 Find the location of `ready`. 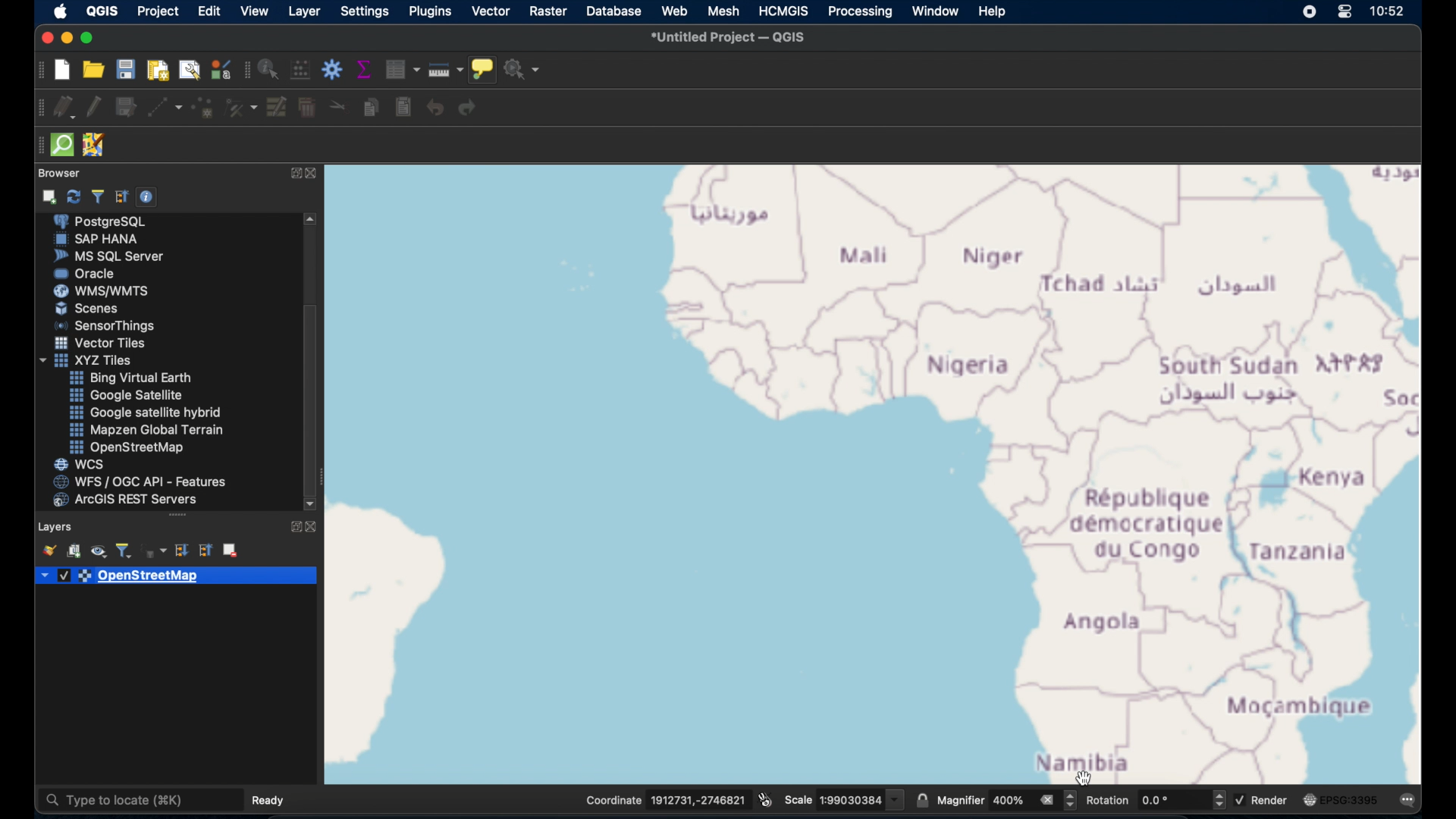

ready is located at coordinates (266, 799).